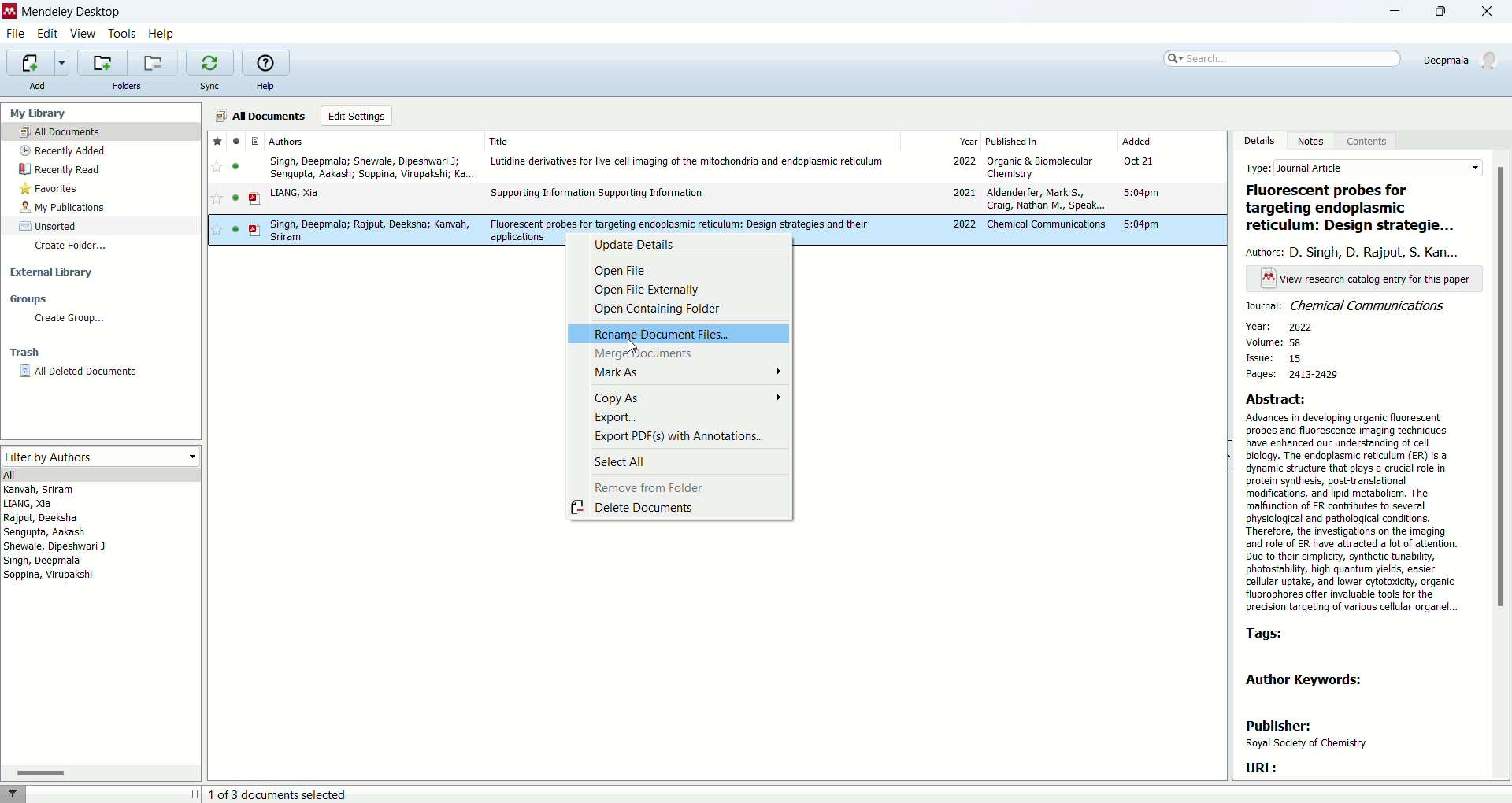 Image resolution: width=1512 pixels, height=803 pixels. Describe the element at coordinates (261, 114) in the screenshot. I see `all documents` at that location.